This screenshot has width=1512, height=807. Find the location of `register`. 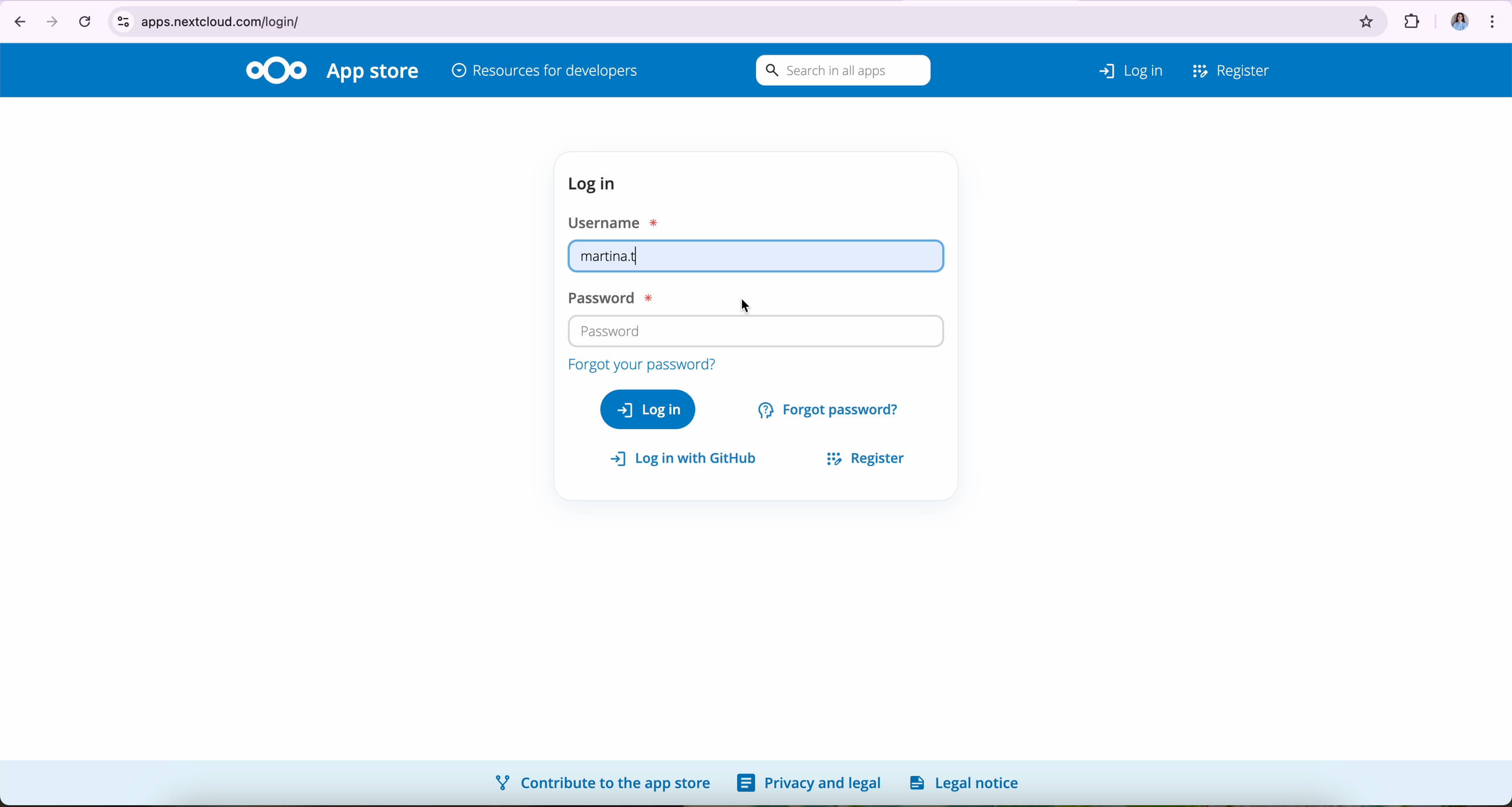

register is located at coordinates (1232, 68).